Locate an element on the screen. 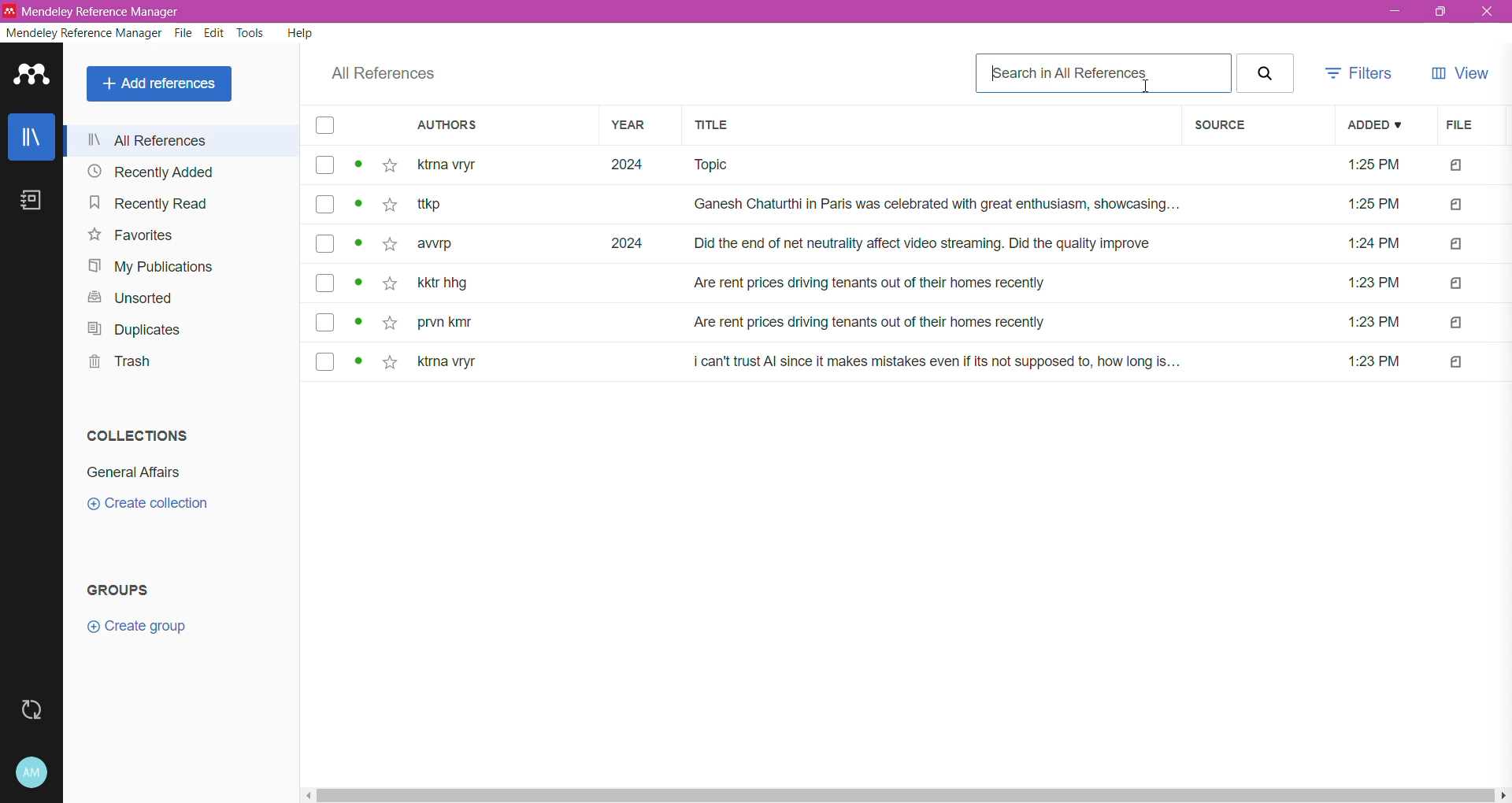 The image size is (1512, 803). Year is located at coordinates (635, 127).